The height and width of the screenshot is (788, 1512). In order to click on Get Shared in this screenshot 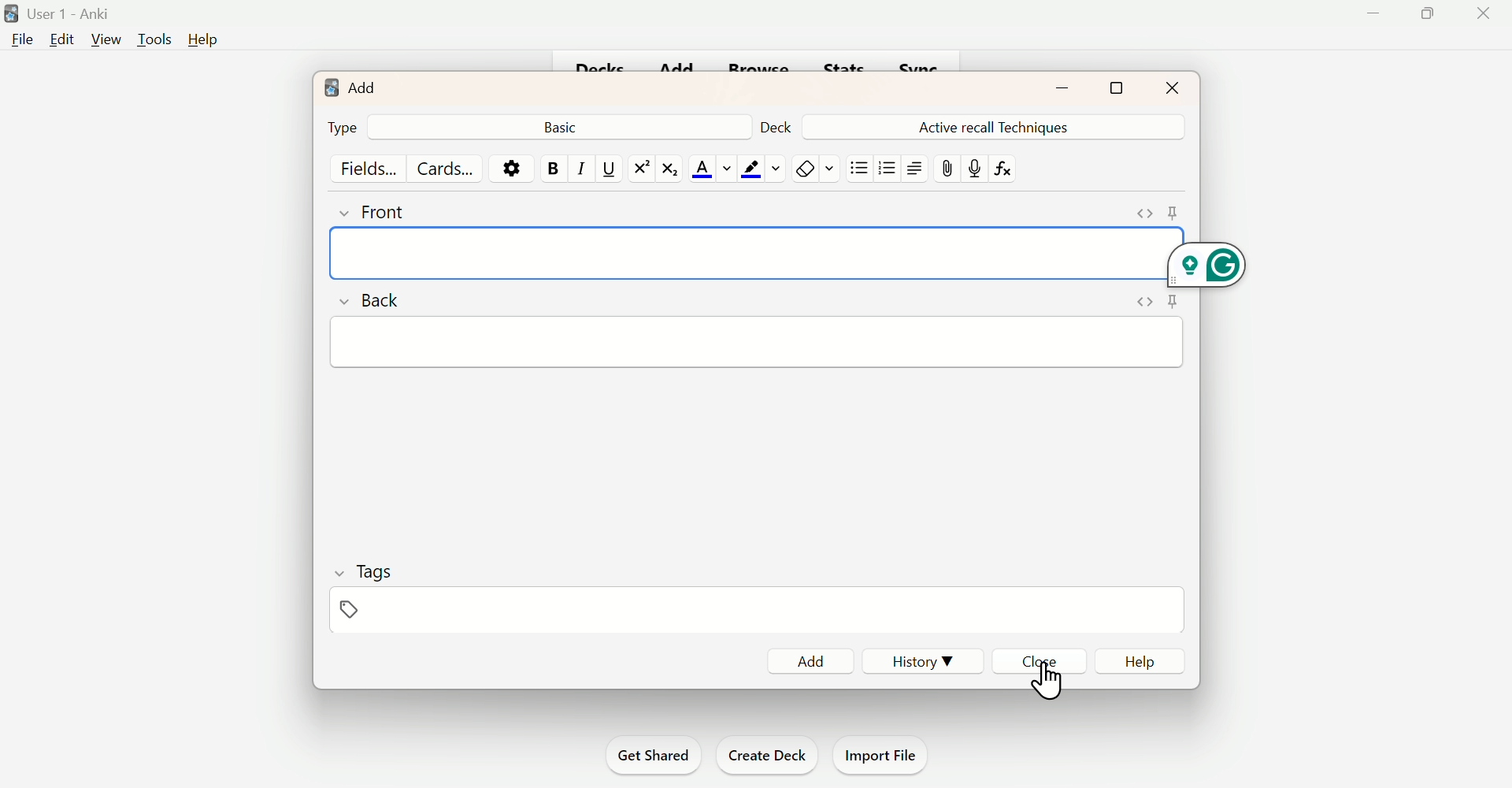, I will do `click(648, 754)`.